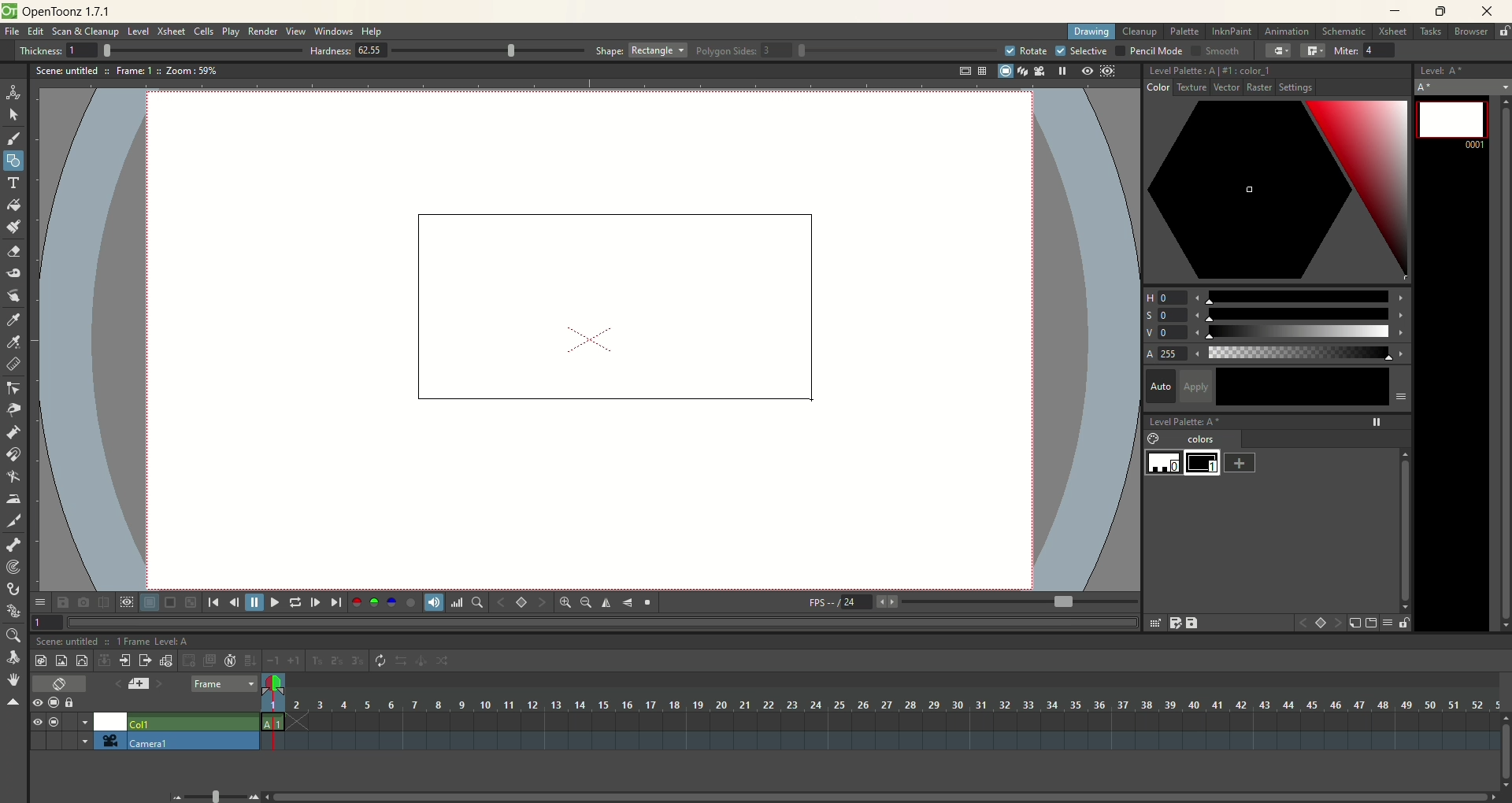 This screenshot has height=803, width=1512. Describe the element at coordinates (1082, 51) in the screenshot. I see `selective` at that location.